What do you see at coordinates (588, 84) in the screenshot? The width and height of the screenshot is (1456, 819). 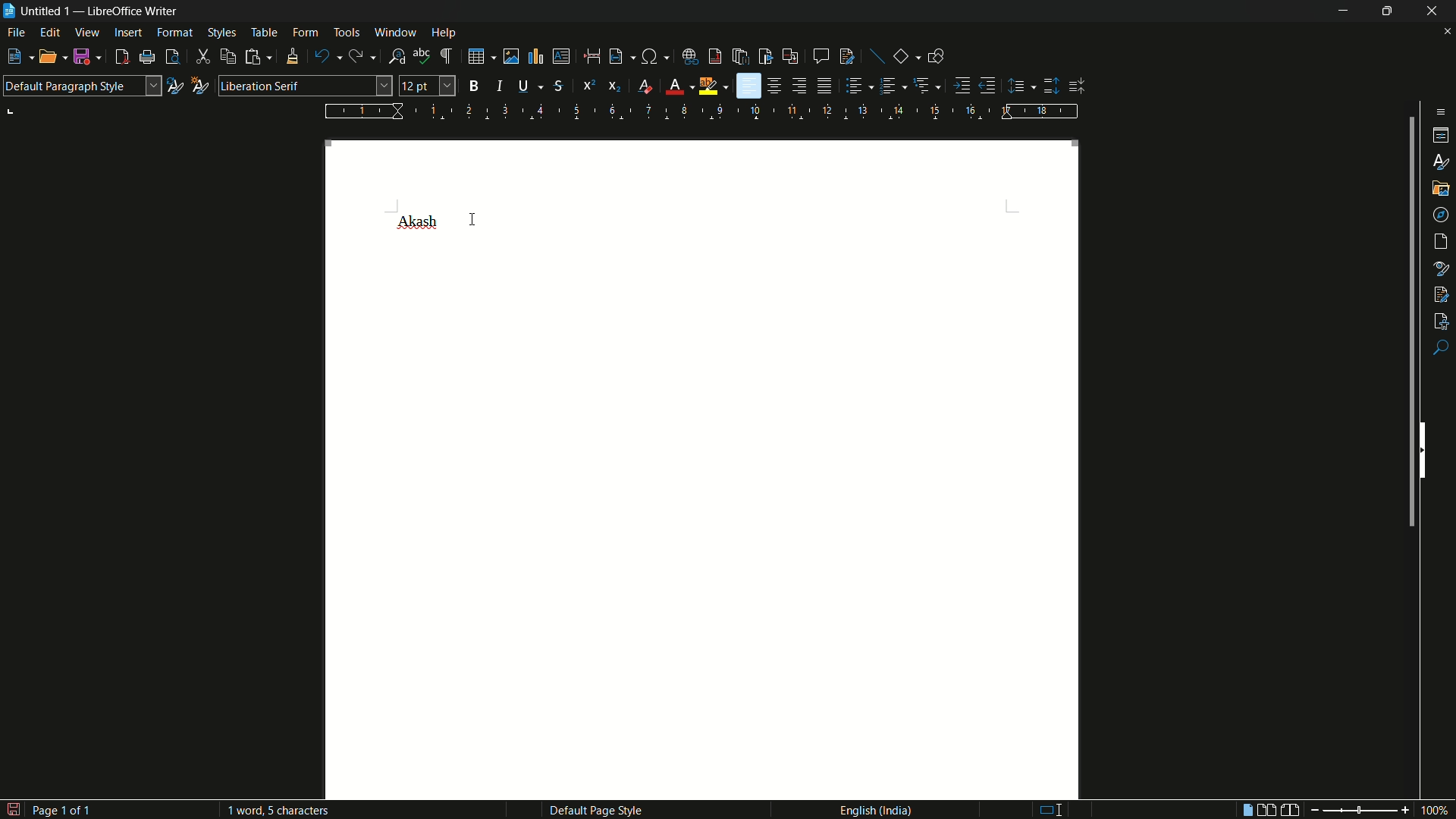 I see `super script` at bounding box center [588, 84].